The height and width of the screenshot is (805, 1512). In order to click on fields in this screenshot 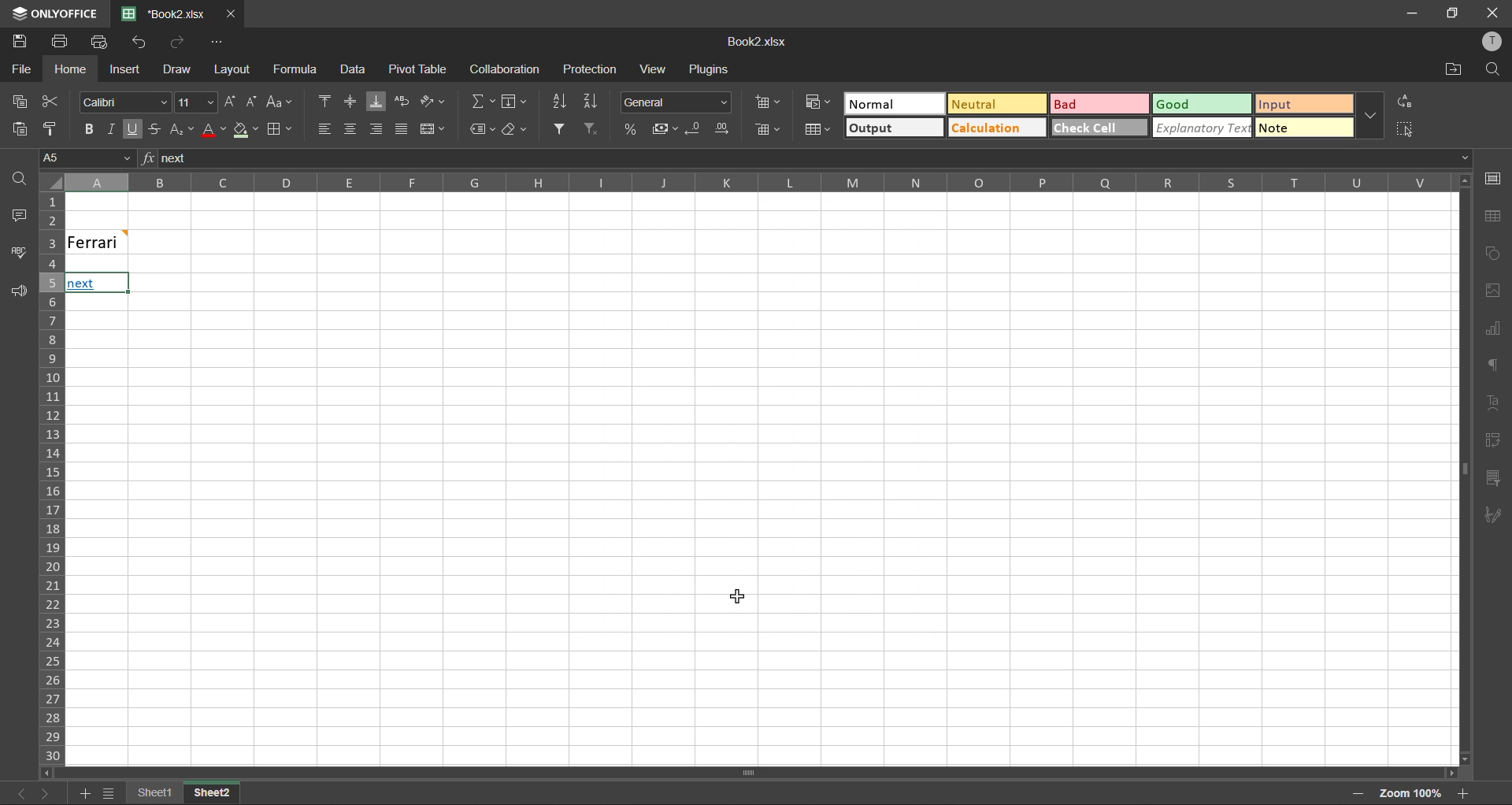, I will do `click(514, 103)`.